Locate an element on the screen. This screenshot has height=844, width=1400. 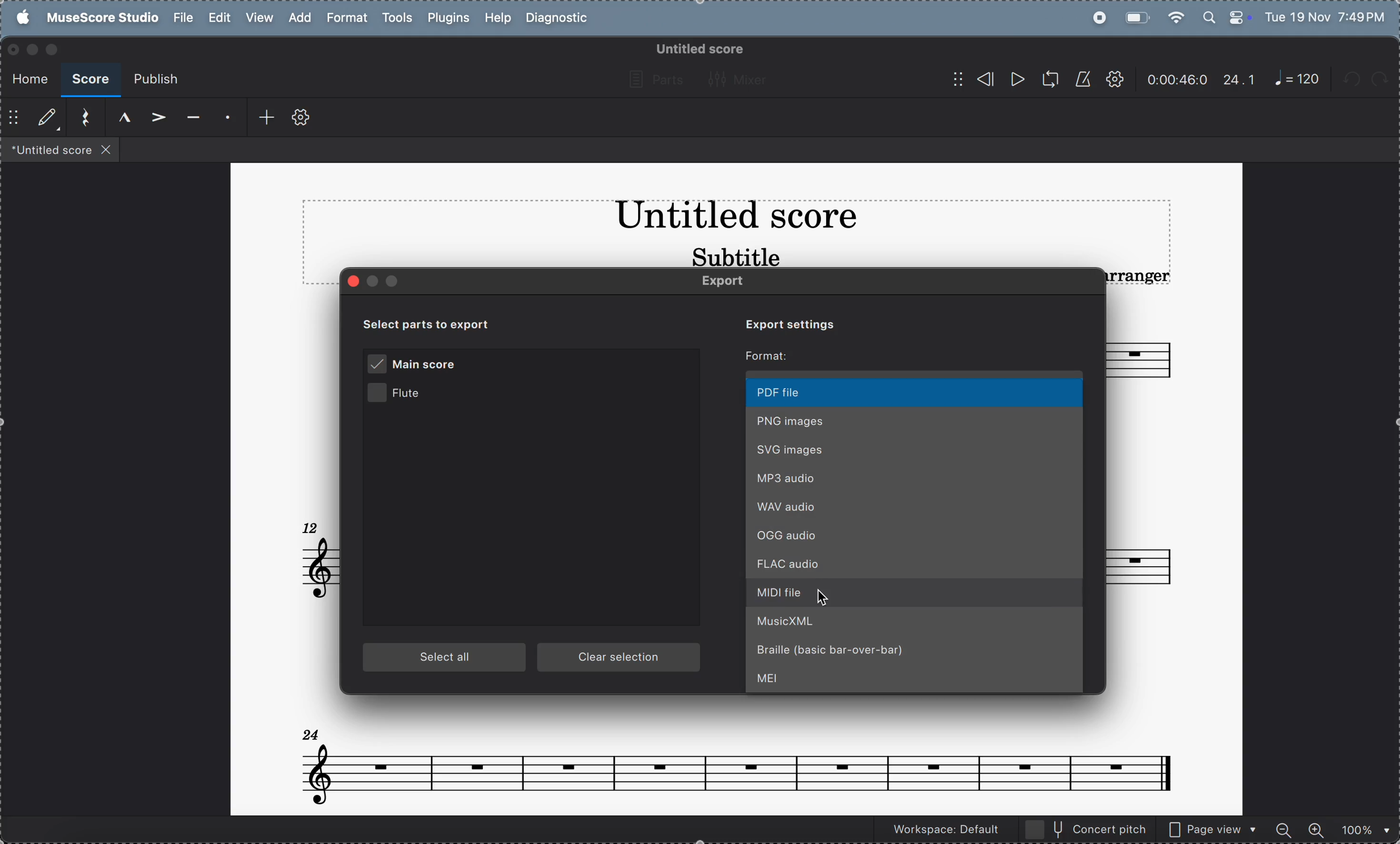
subtitle is located at coordinates (734, 256).